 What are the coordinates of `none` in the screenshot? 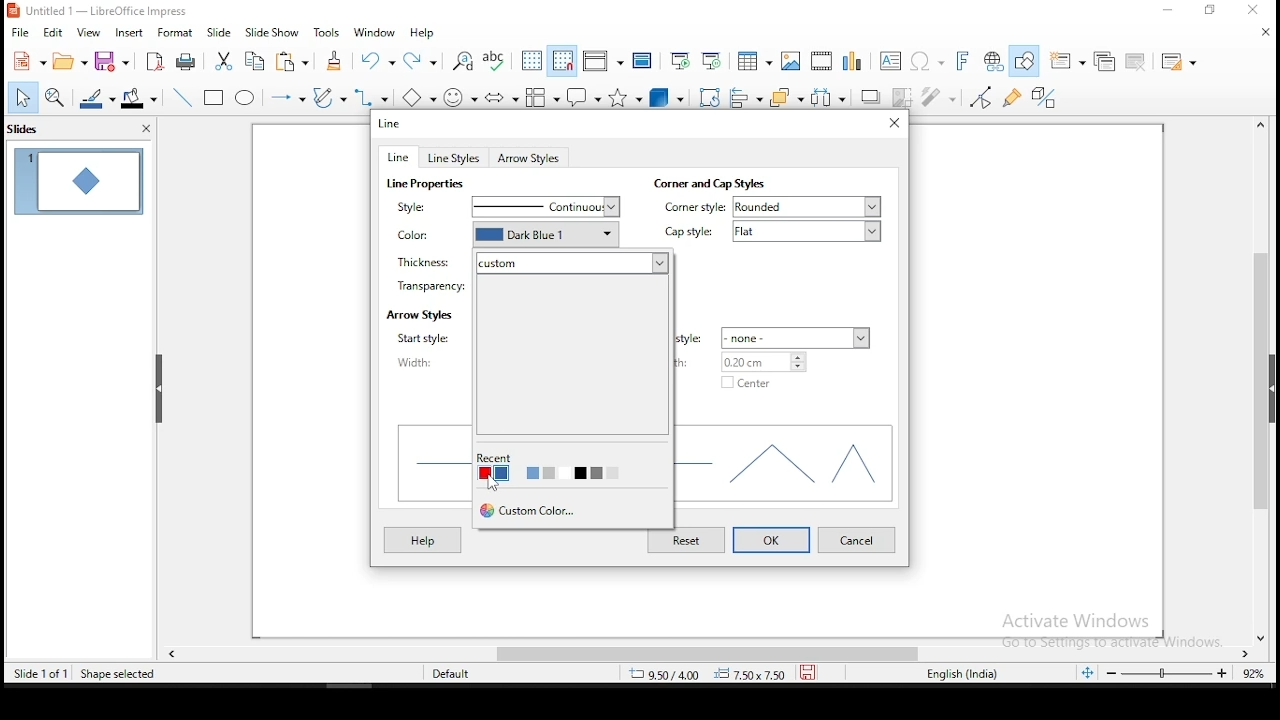 It's located at (794, 336).